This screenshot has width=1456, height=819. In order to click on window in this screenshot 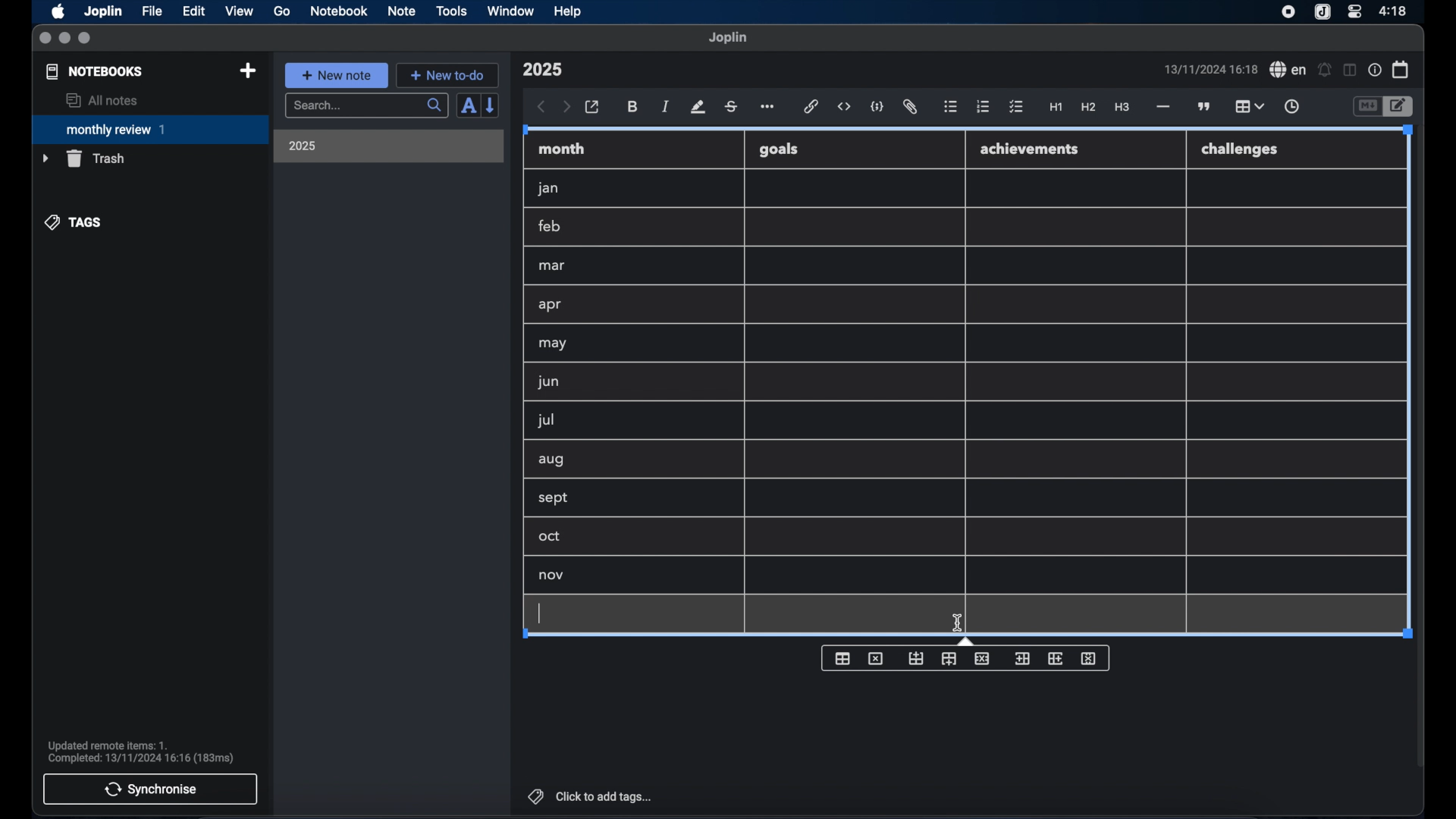, I will do `click(511, 11)`.